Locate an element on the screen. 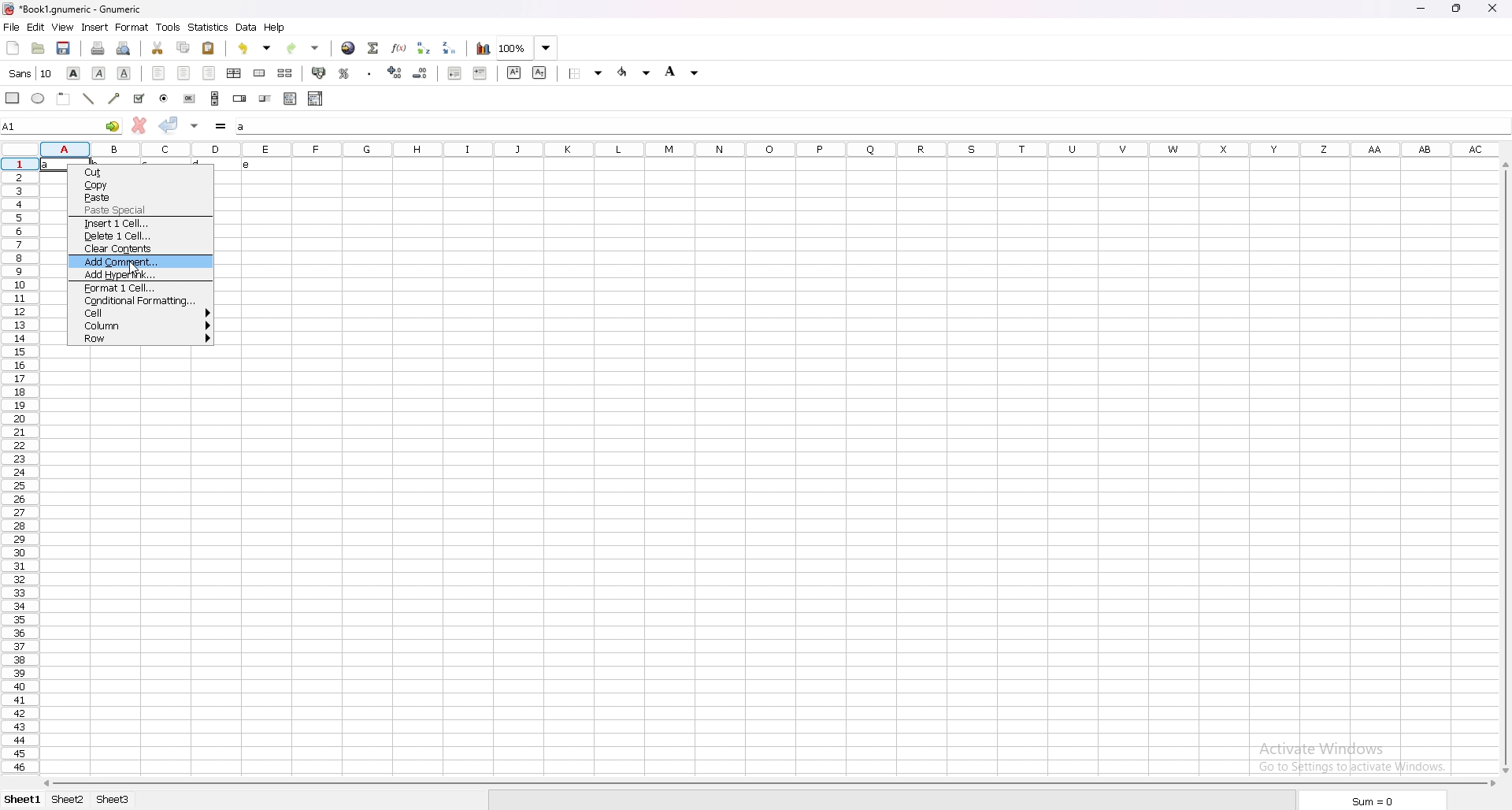  sort ascending is located at coordinates (424, 49).